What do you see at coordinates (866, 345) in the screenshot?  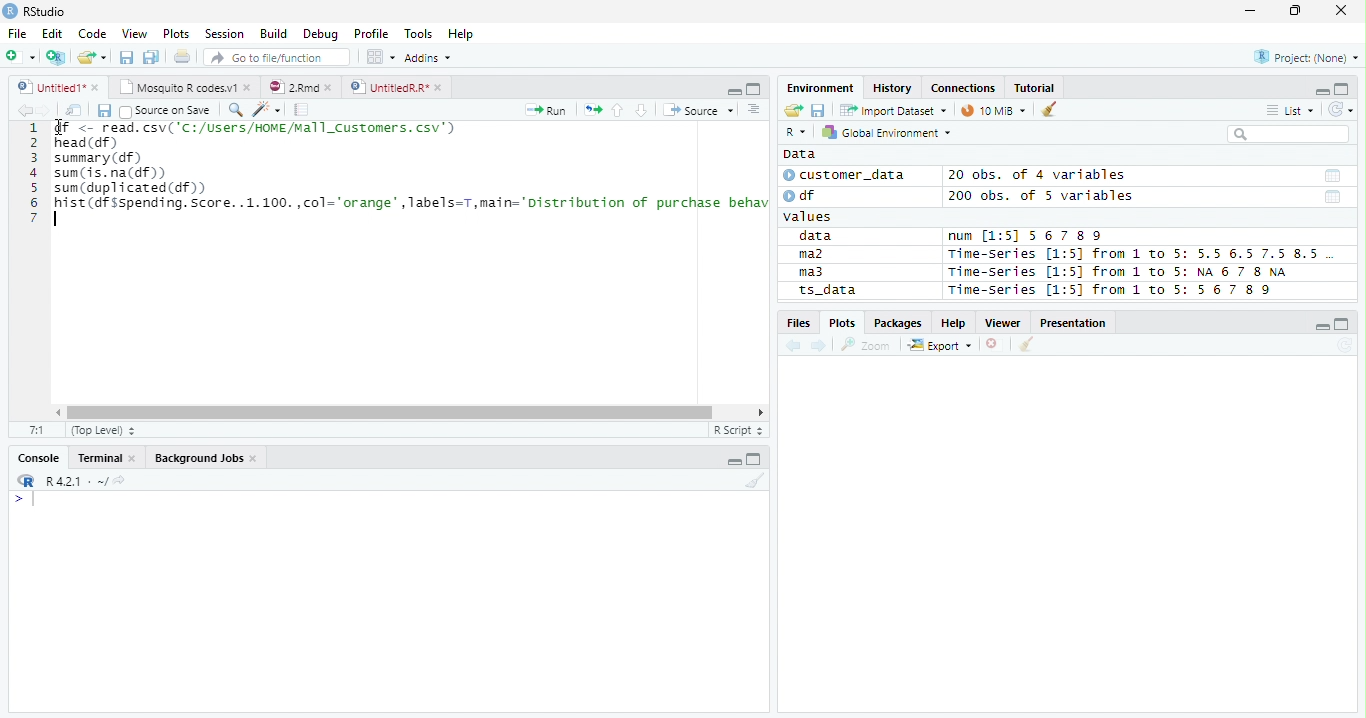 I see `Zoom` at bounding box center [866, 345].